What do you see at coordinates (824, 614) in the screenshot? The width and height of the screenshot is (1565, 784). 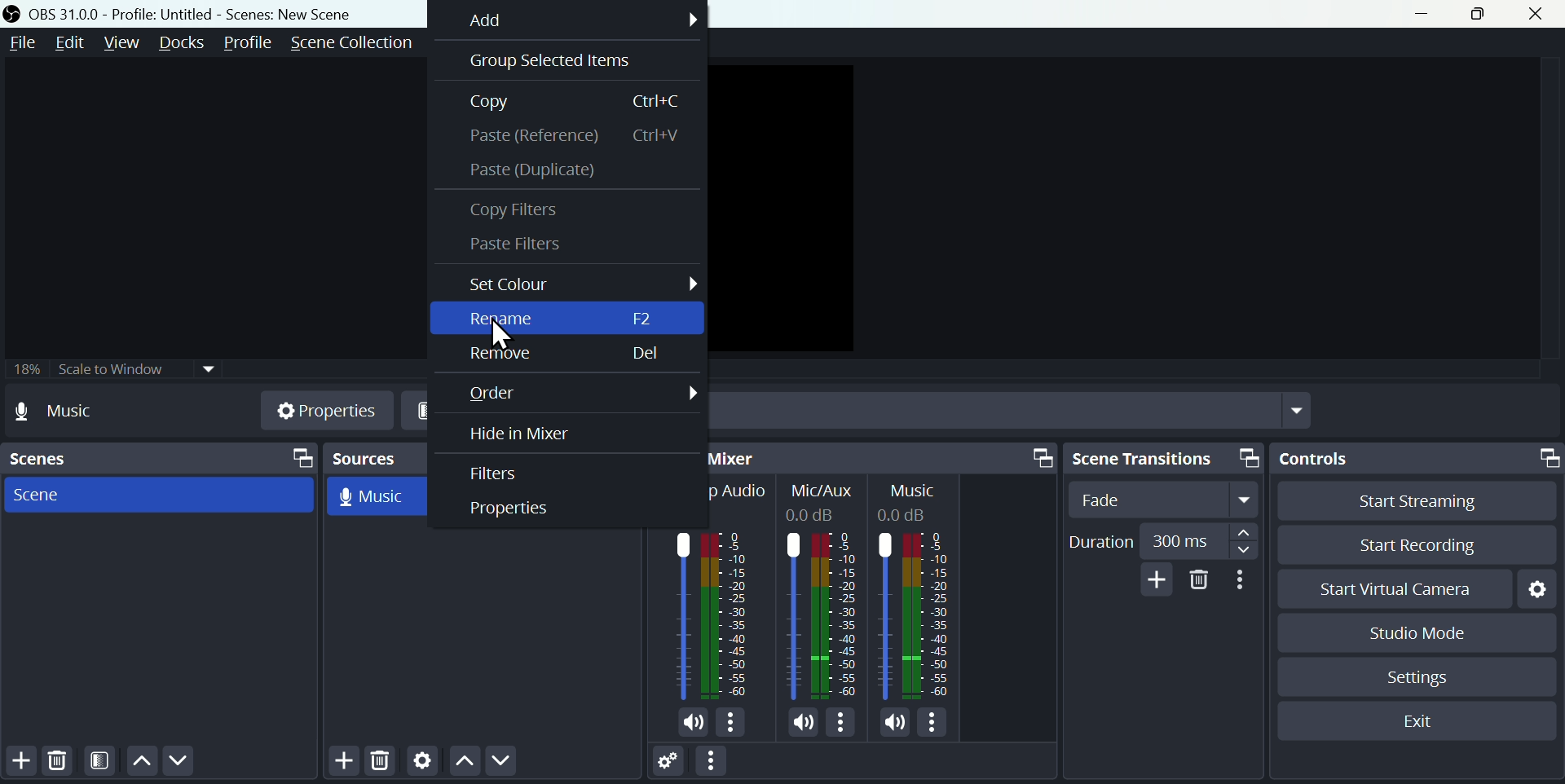 I see `` at bounding box center [824, 614].